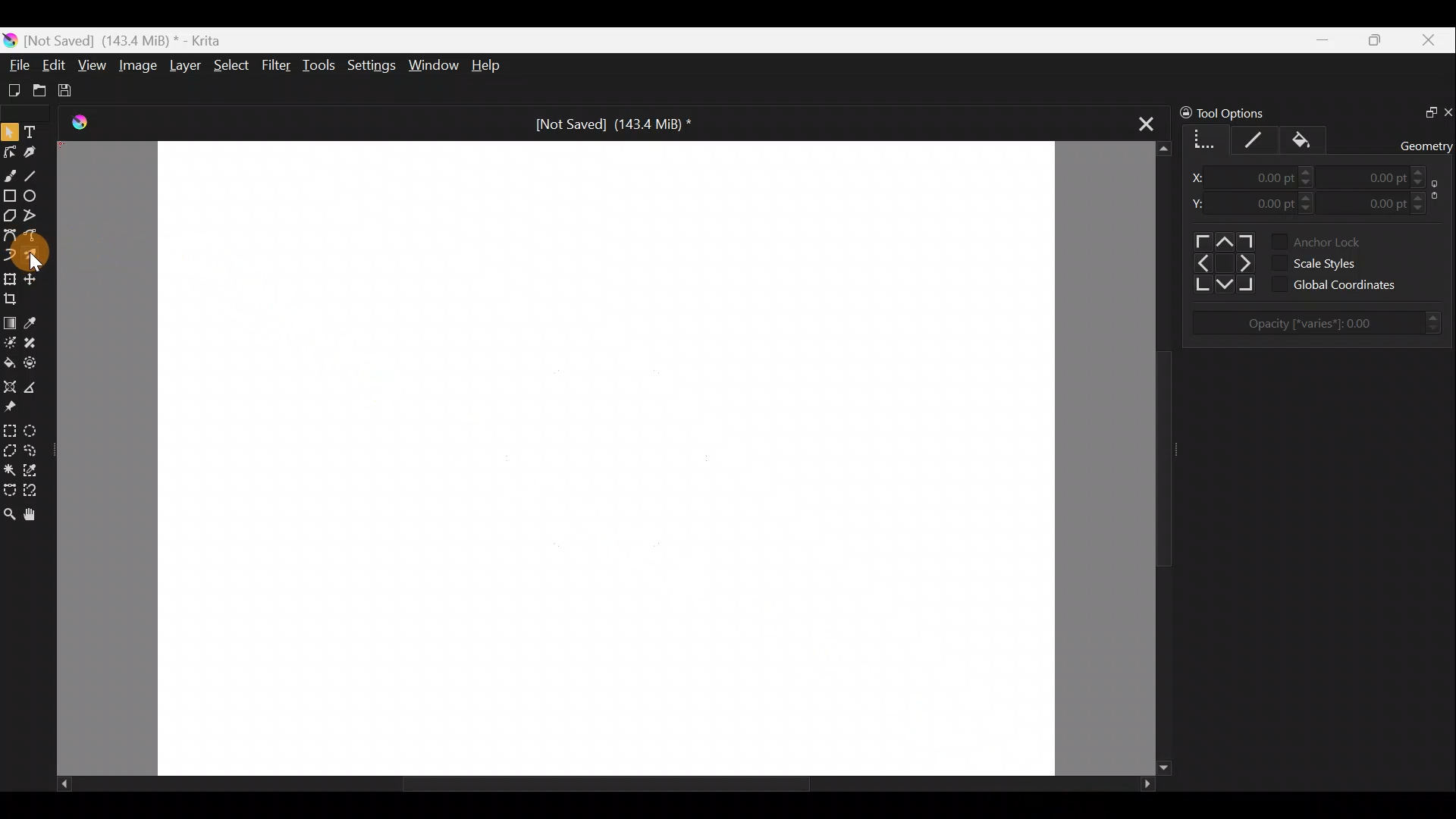 This screenshot has height=819, width=1456. What do you see at coordinates (1309, 184) in the screenshot?
I see `Decrease` at bounding box center [1309, 184].